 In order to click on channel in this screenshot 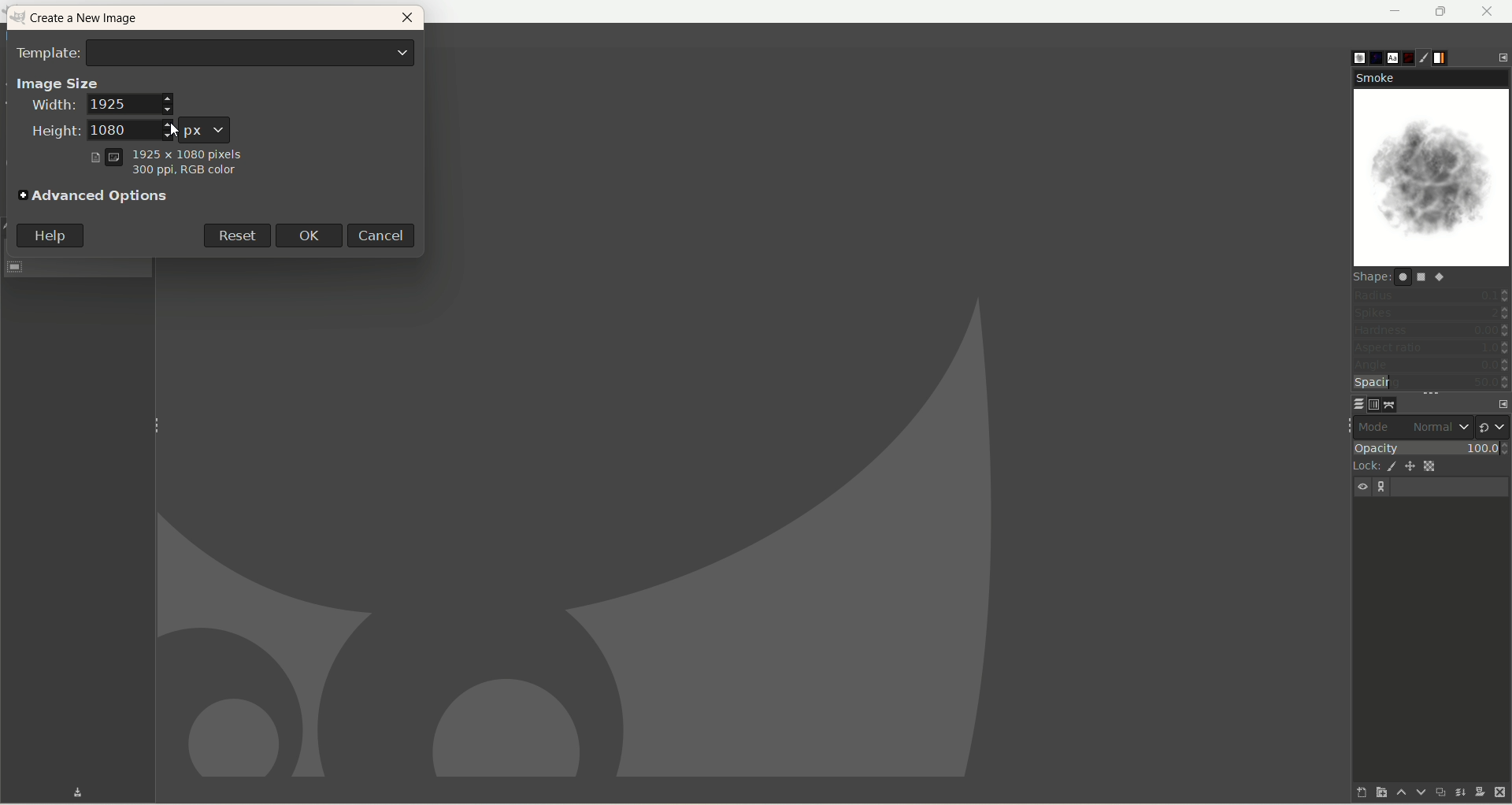, I will do `click(1370, 404)`.